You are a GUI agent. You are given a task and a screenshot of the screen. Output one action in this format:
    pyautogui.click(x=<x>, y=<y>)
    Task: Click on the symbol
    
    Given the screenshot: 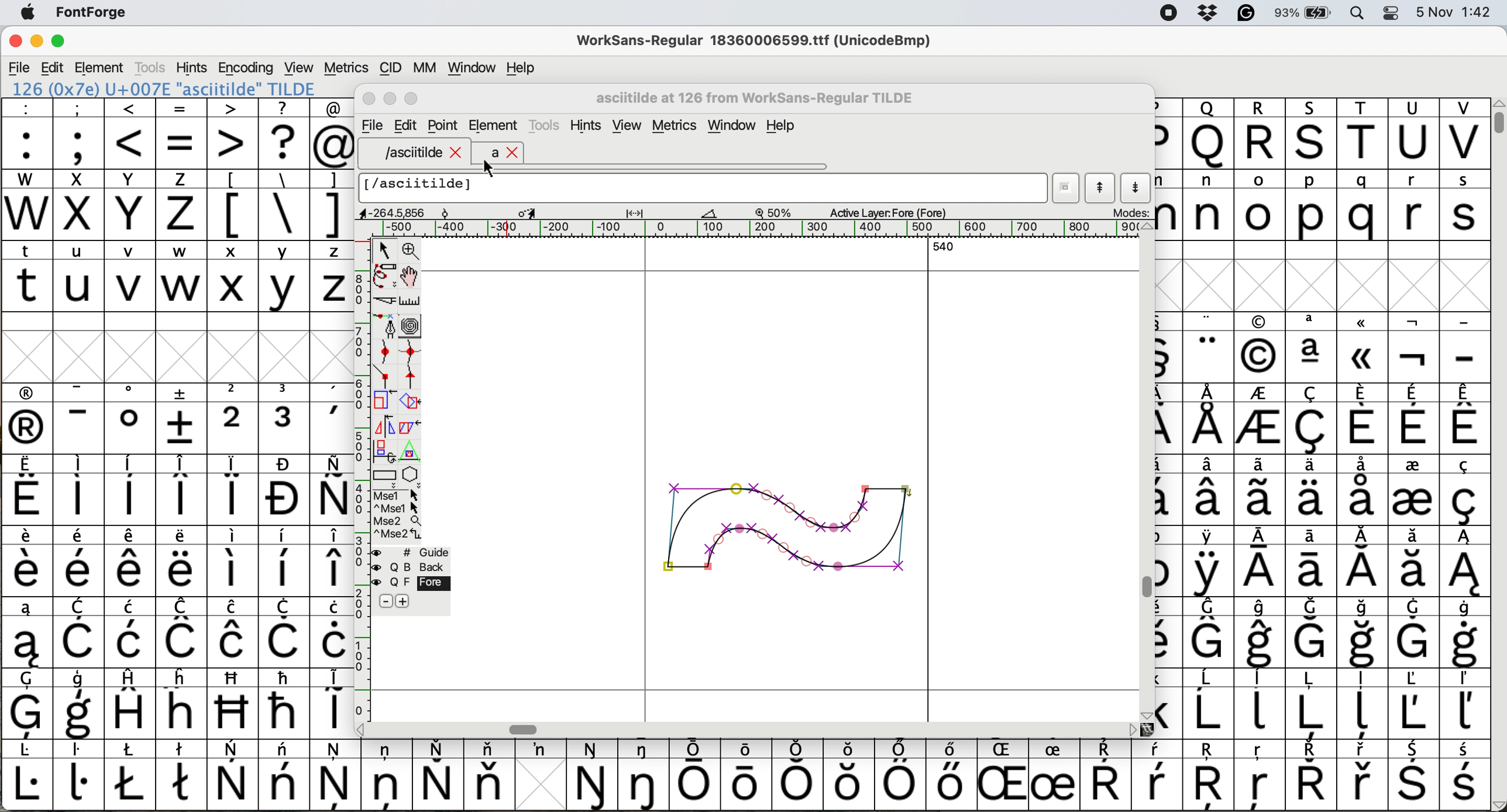 What is the action you would take?
    pyautogui.click(x=1414, y=632)
    